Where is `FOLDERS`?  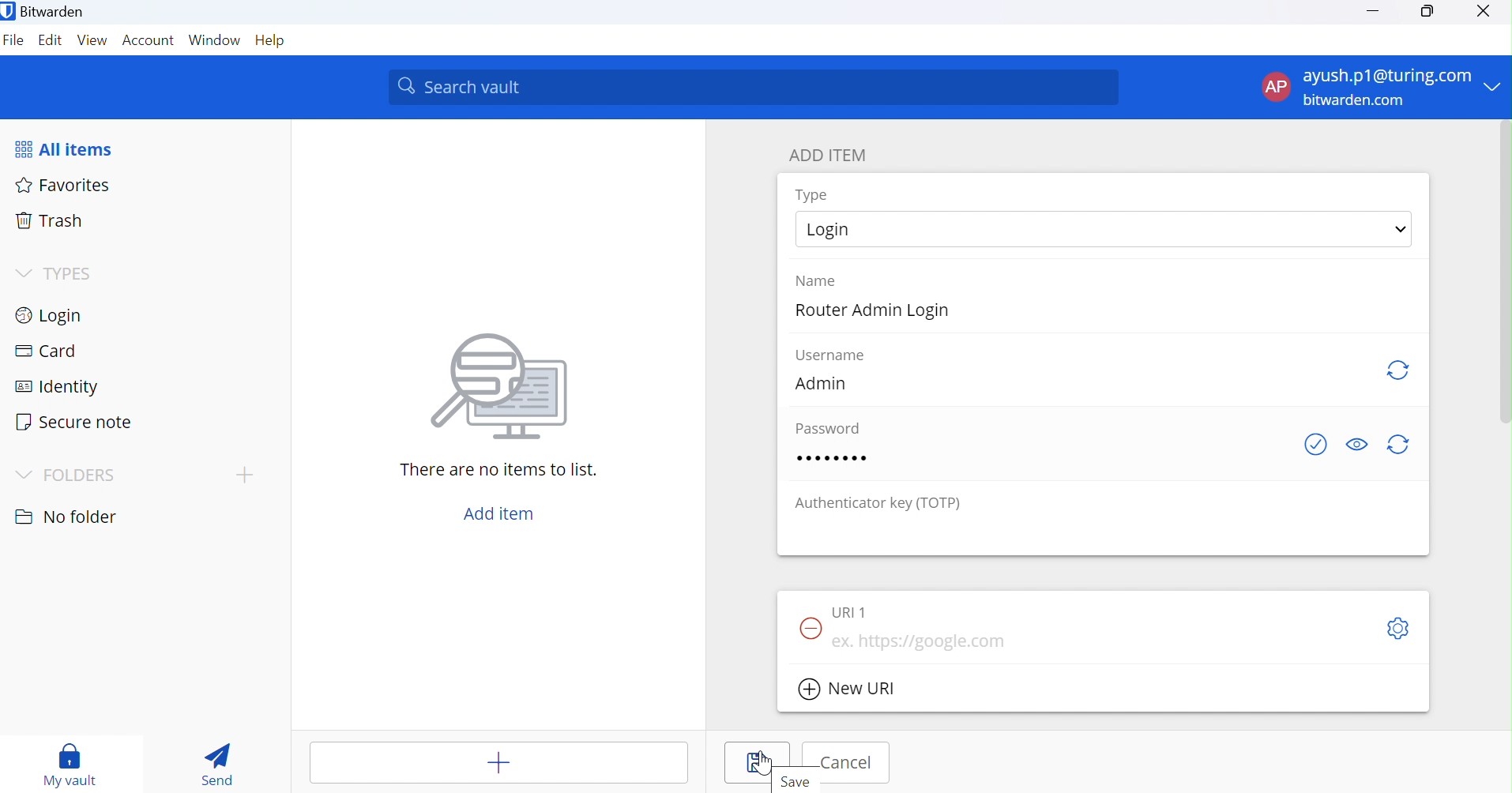 FOLDERS is located at coordinates (70, 472).